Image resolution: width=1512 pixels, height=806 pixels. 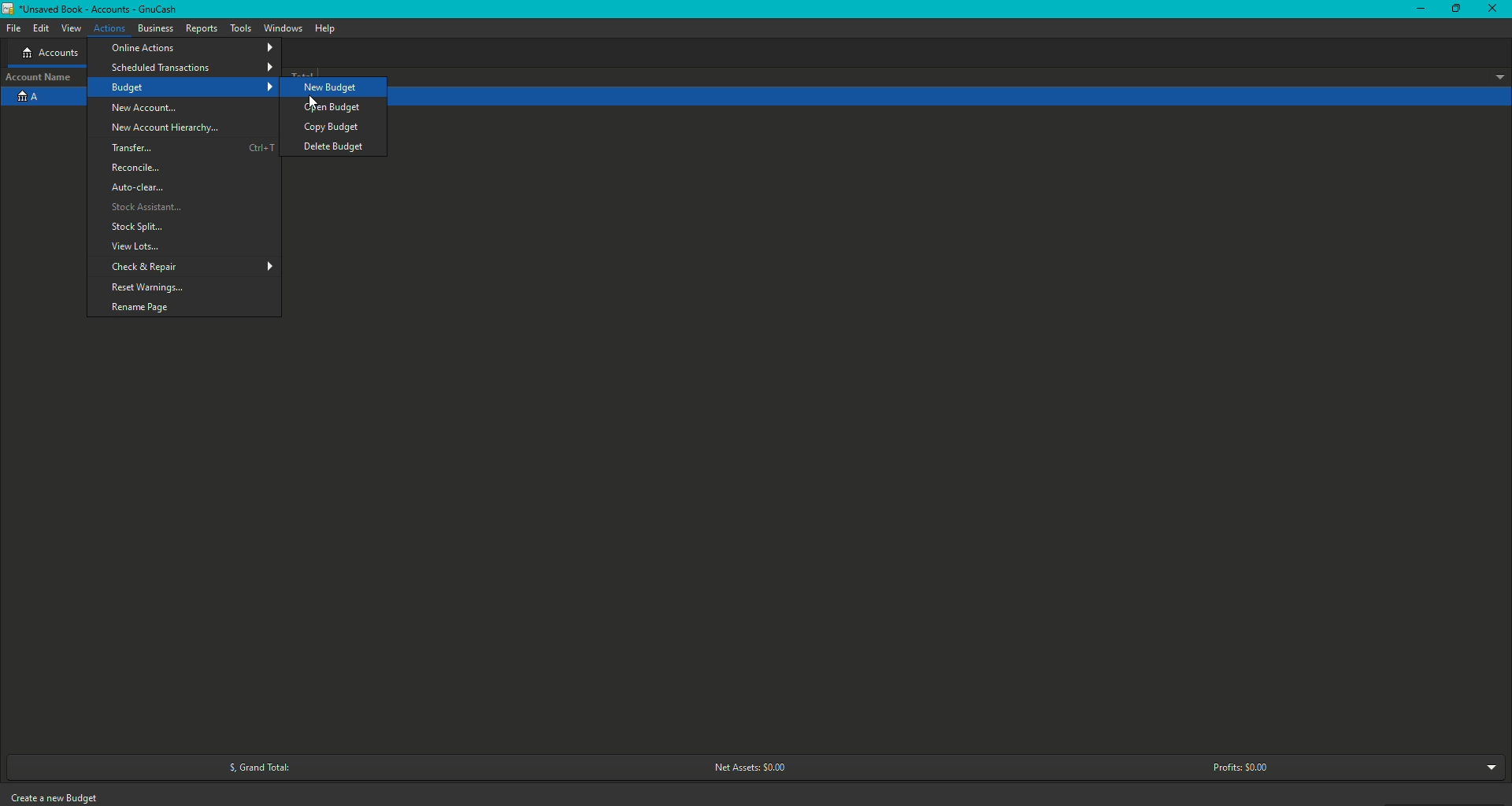 What do you see at coordinates (169, 127) in the screenshot?
I see `New Account Hierarchy` at bounding box center [169, 127].